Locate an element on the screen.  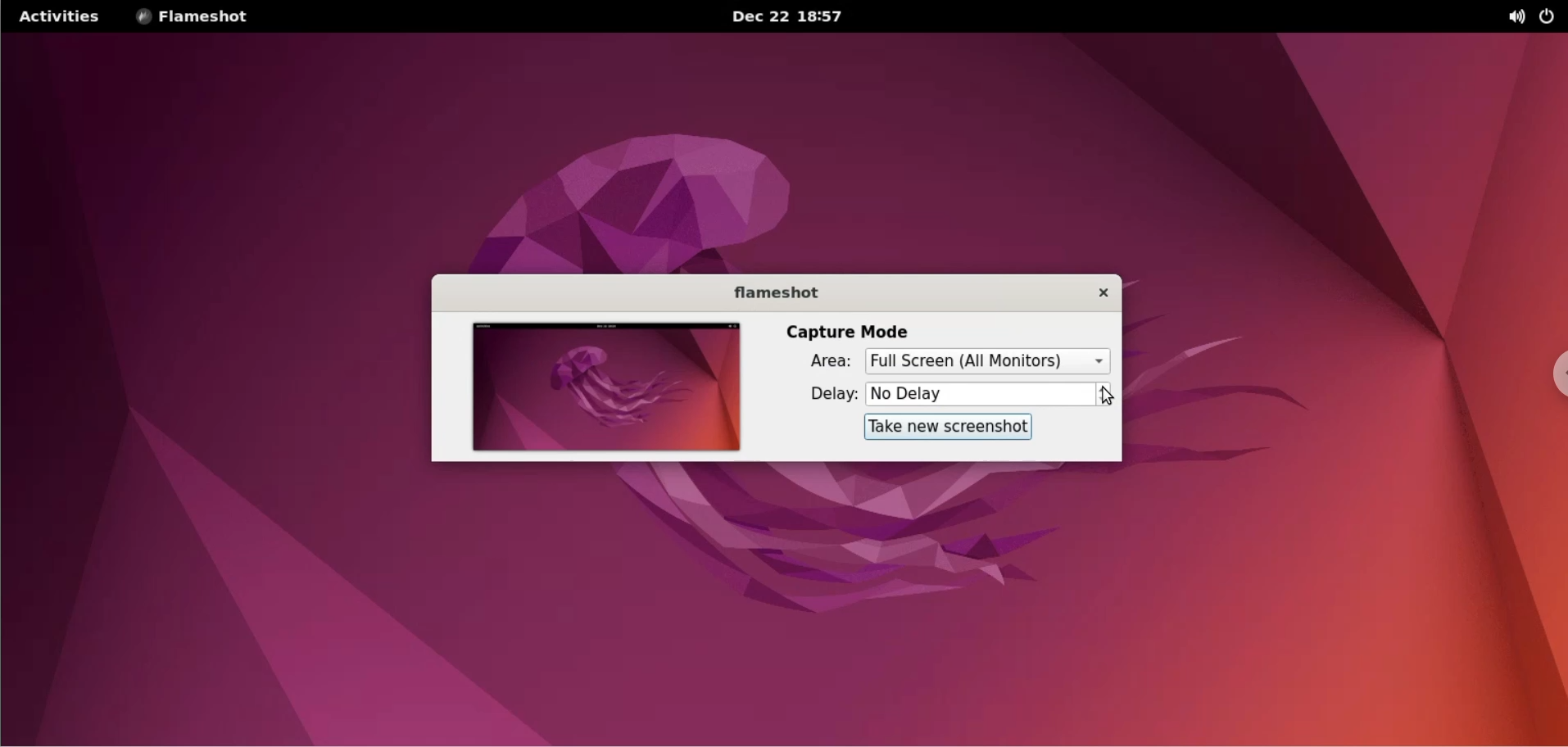
increment or decrement delay time is located at coordinates (1104, 396).